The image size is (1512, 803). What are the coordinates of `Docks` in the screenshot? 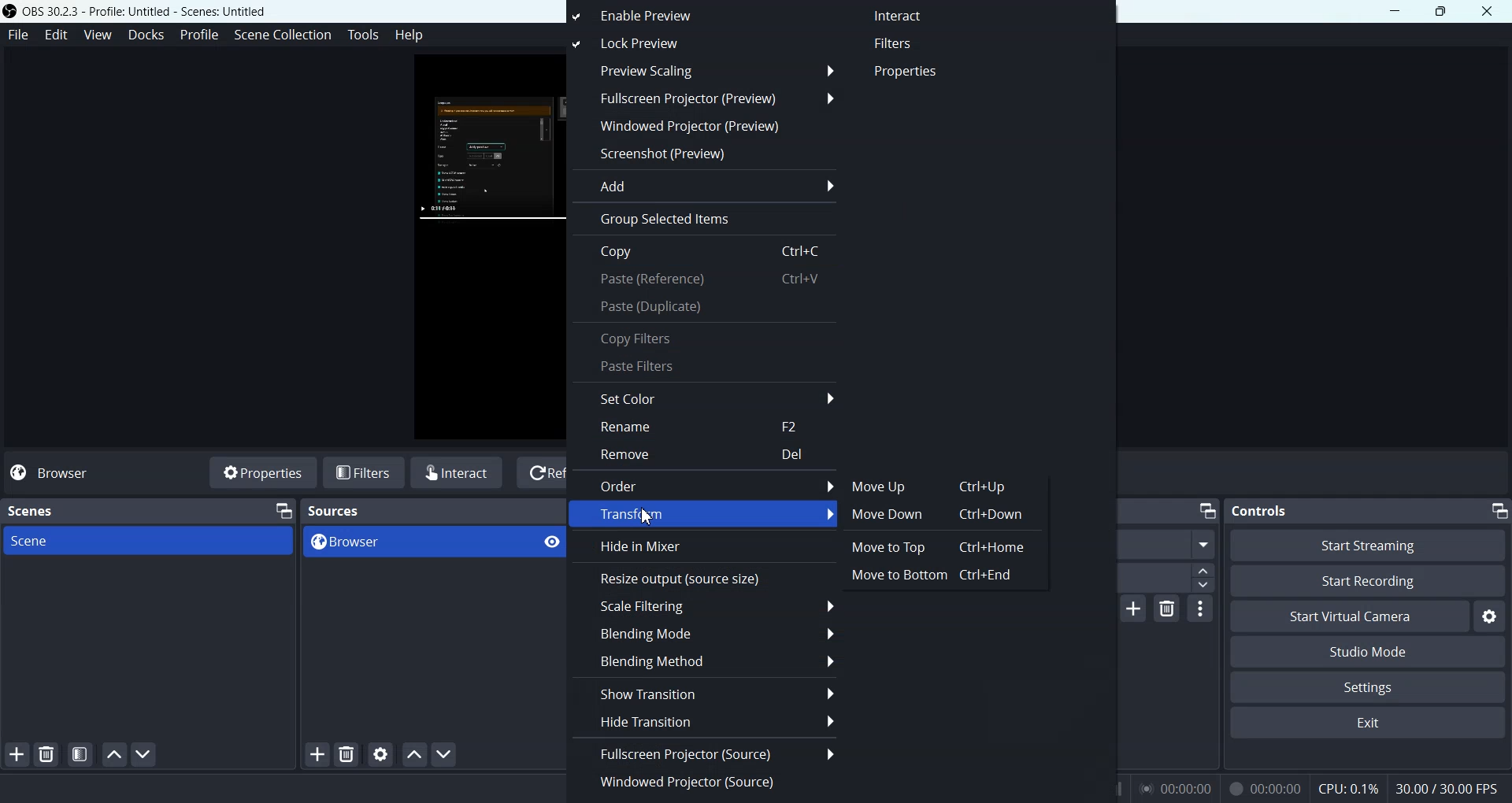 It's located at (148, 35).